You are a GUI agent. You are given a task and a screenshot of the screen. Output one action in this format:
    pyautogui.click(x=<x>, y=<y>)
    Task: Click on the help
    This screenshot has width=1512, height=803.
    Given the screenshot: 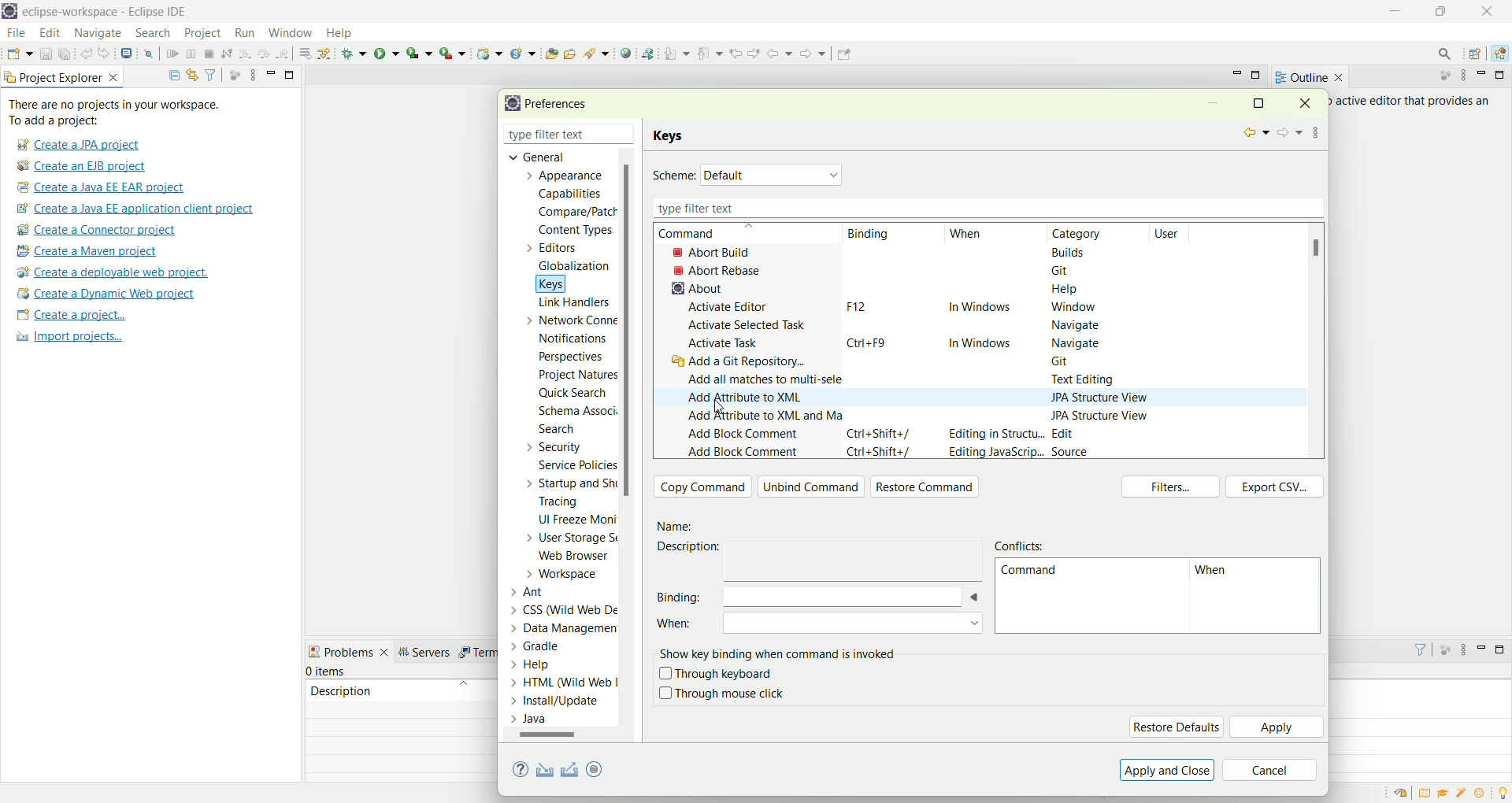 What is the action you would take?
    pyautogui.click(x=1065, y=292)
    